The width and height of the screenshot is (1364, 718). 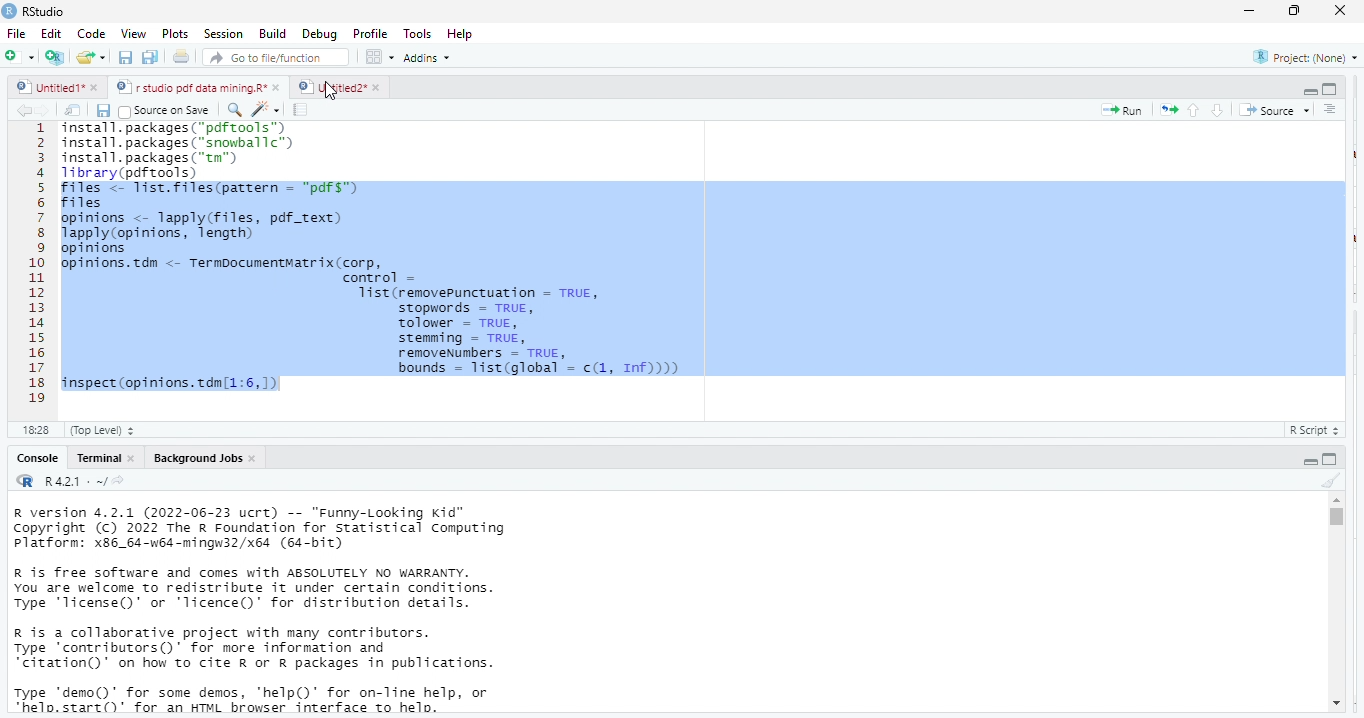 What do you see at coordinates (222, 34) in the screenshot?
I see `session` at bounding box center [222, 34].